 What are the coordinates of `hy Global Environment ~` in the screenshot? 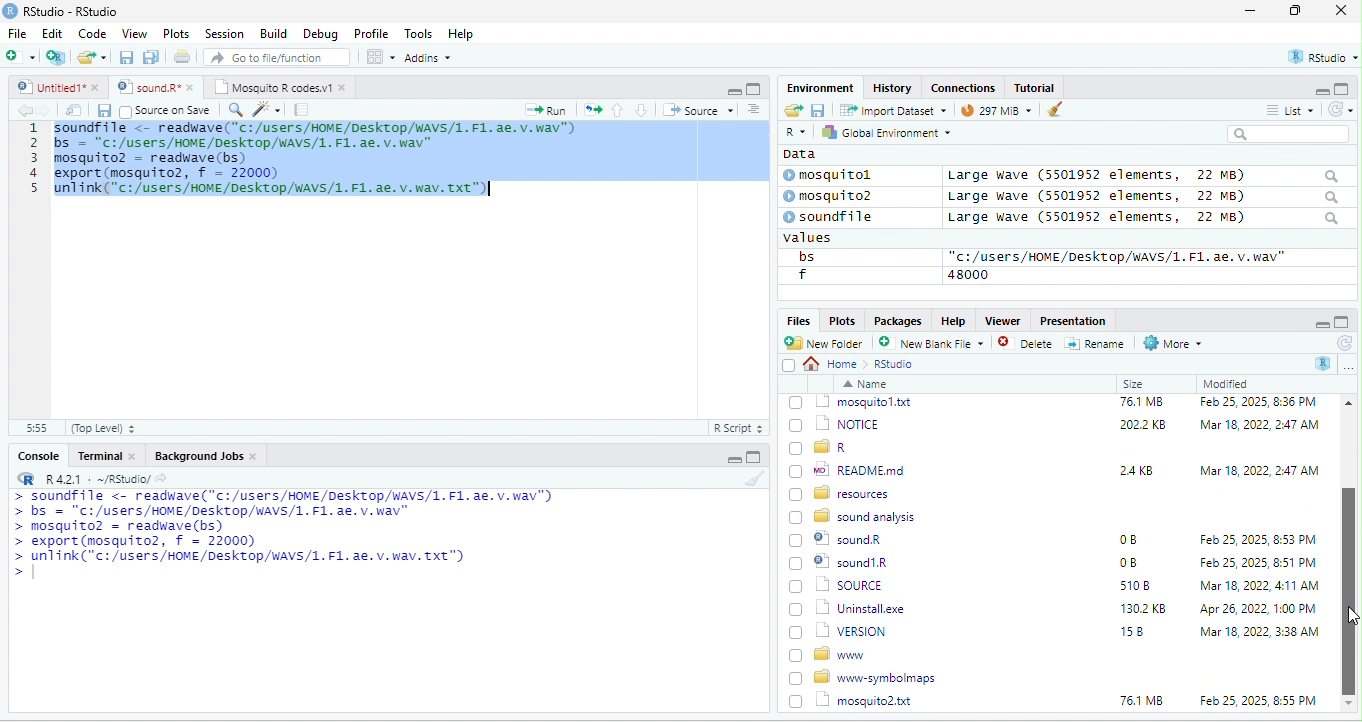 It's located at (881, 132).